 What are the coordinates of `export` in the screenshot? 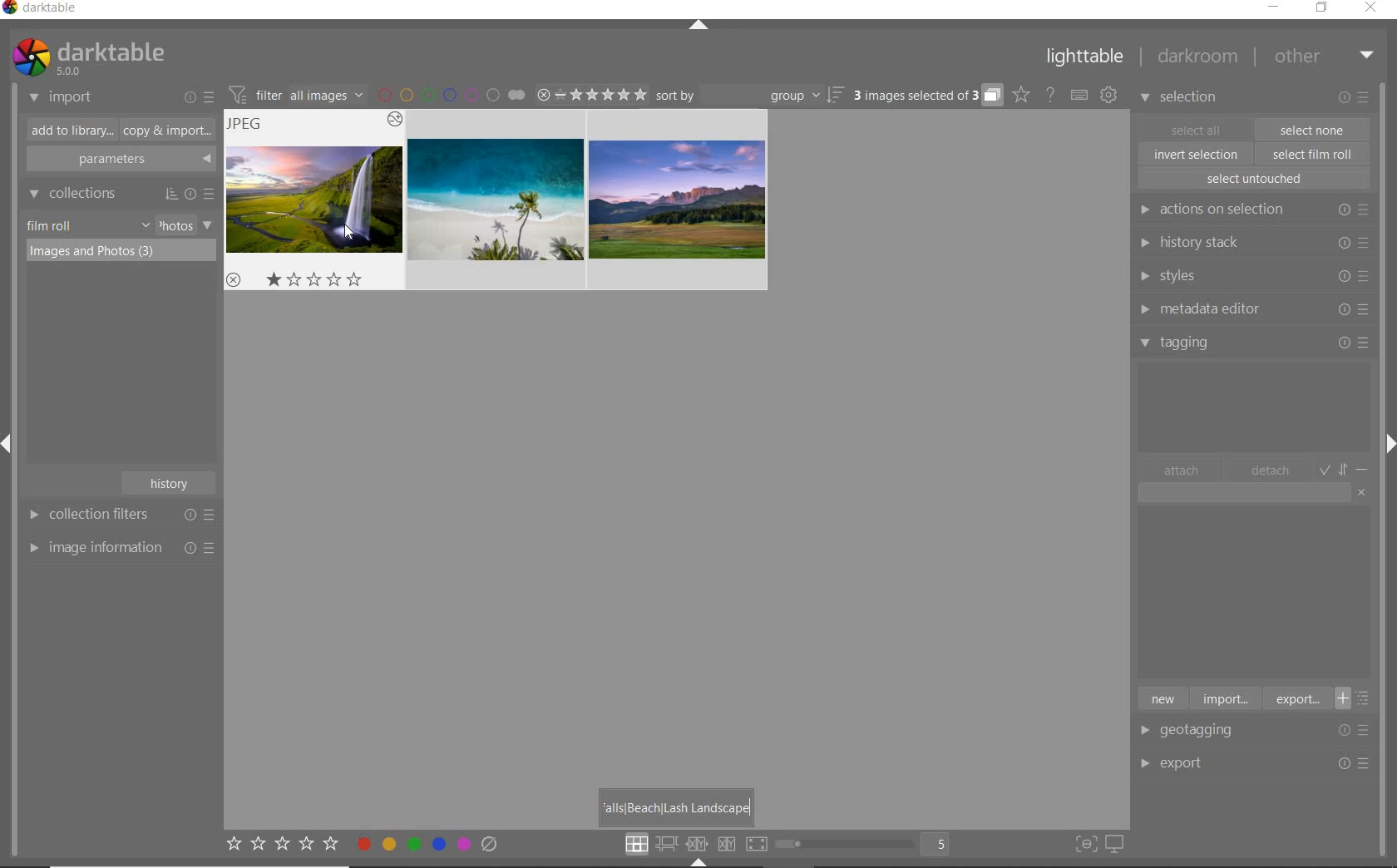 It's located at (1296, 698).